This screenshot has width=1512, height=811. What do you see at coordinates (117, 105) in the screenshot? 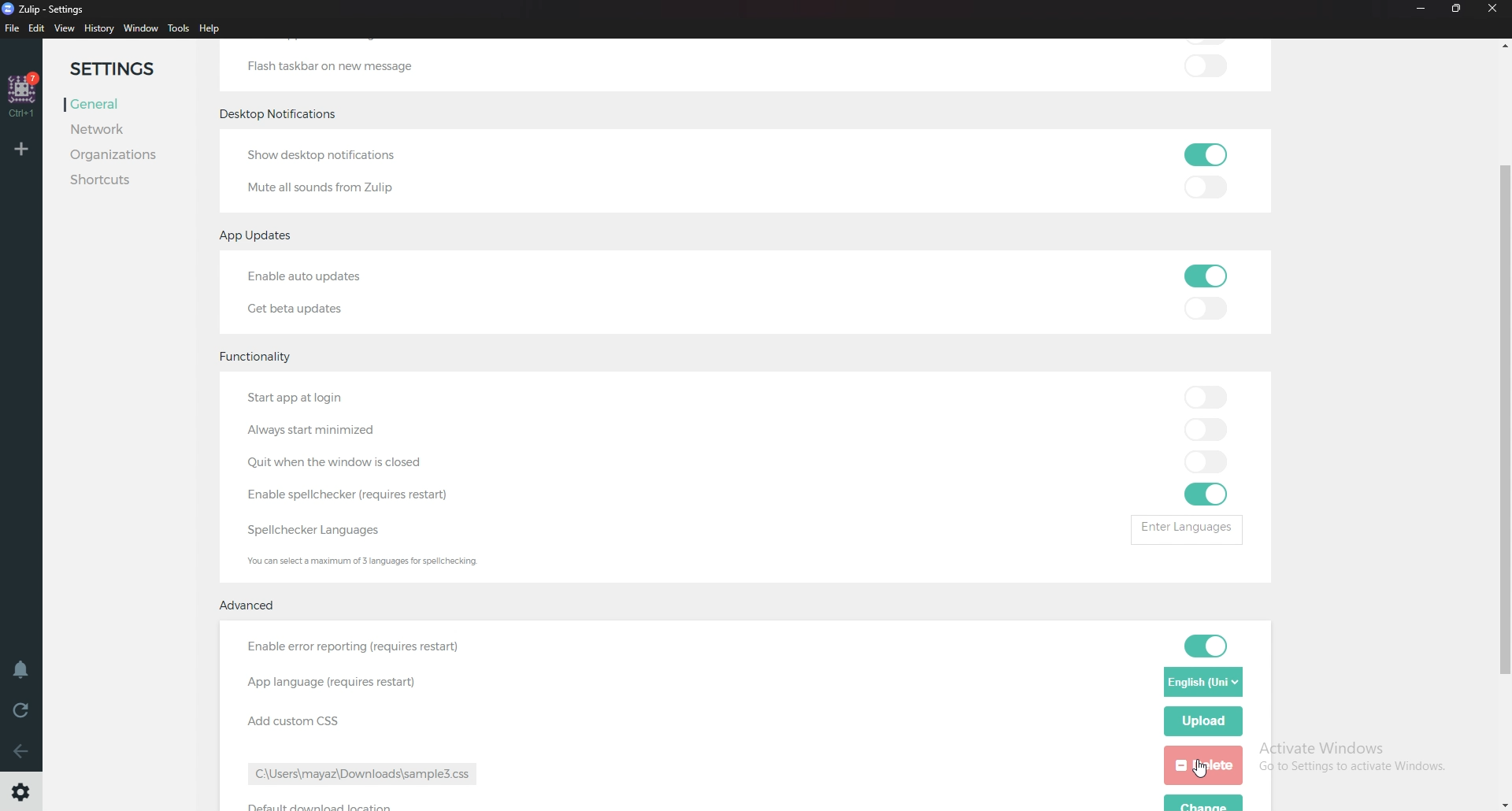
I see `General` at bounding box center [117, 105].